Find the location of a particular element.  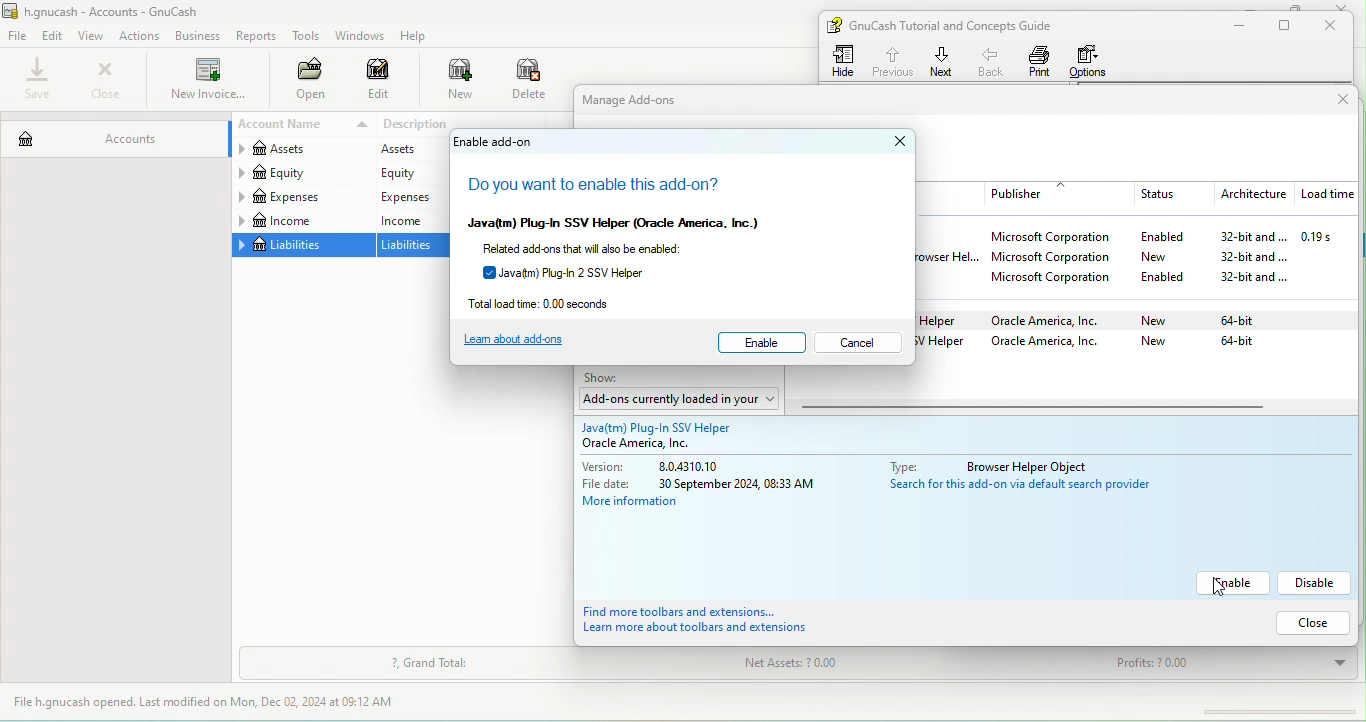

new invoice is located at coordinates (206, 81).